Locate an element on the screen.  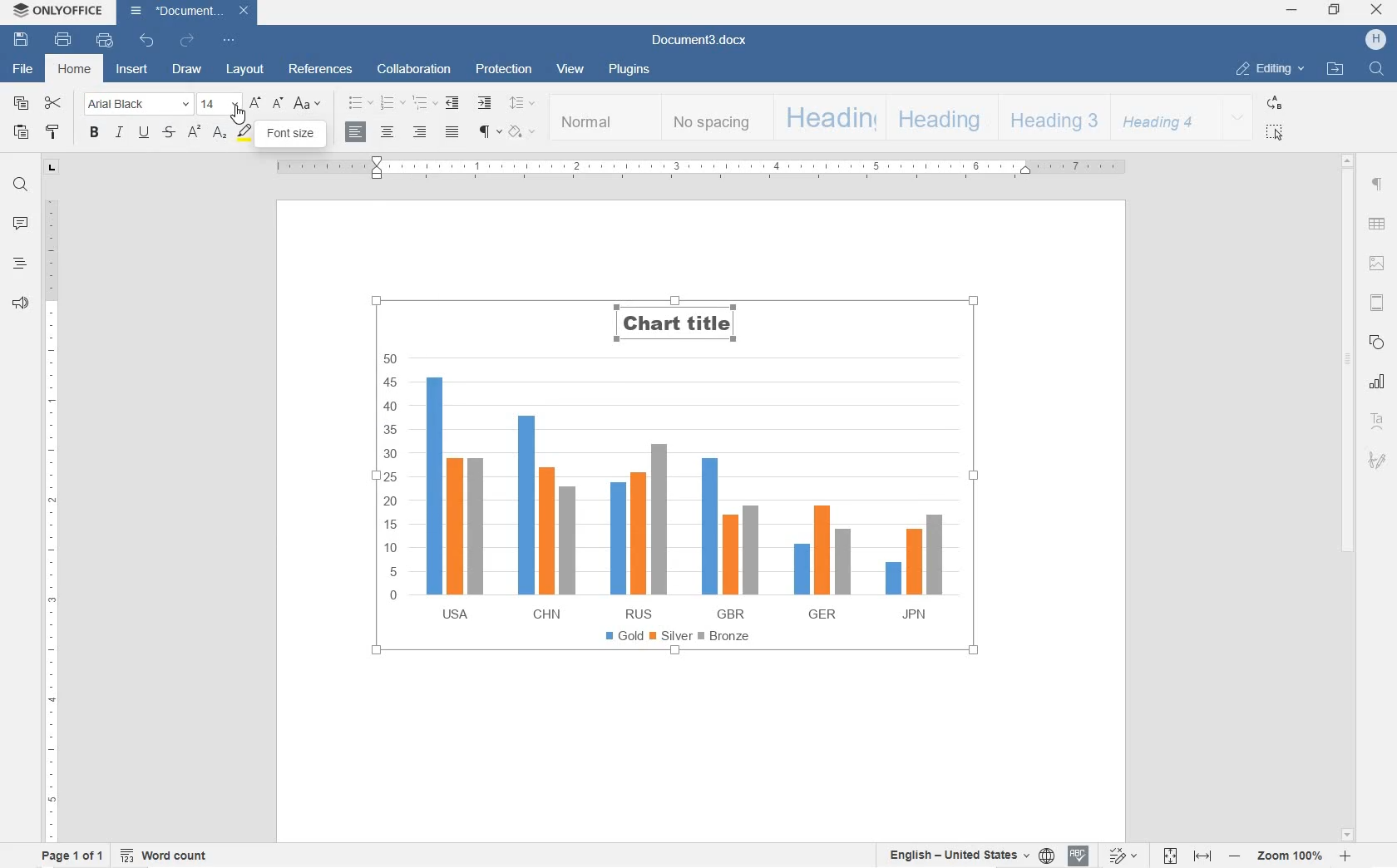
JUSTIFIED is located at coordinates (452, 133).